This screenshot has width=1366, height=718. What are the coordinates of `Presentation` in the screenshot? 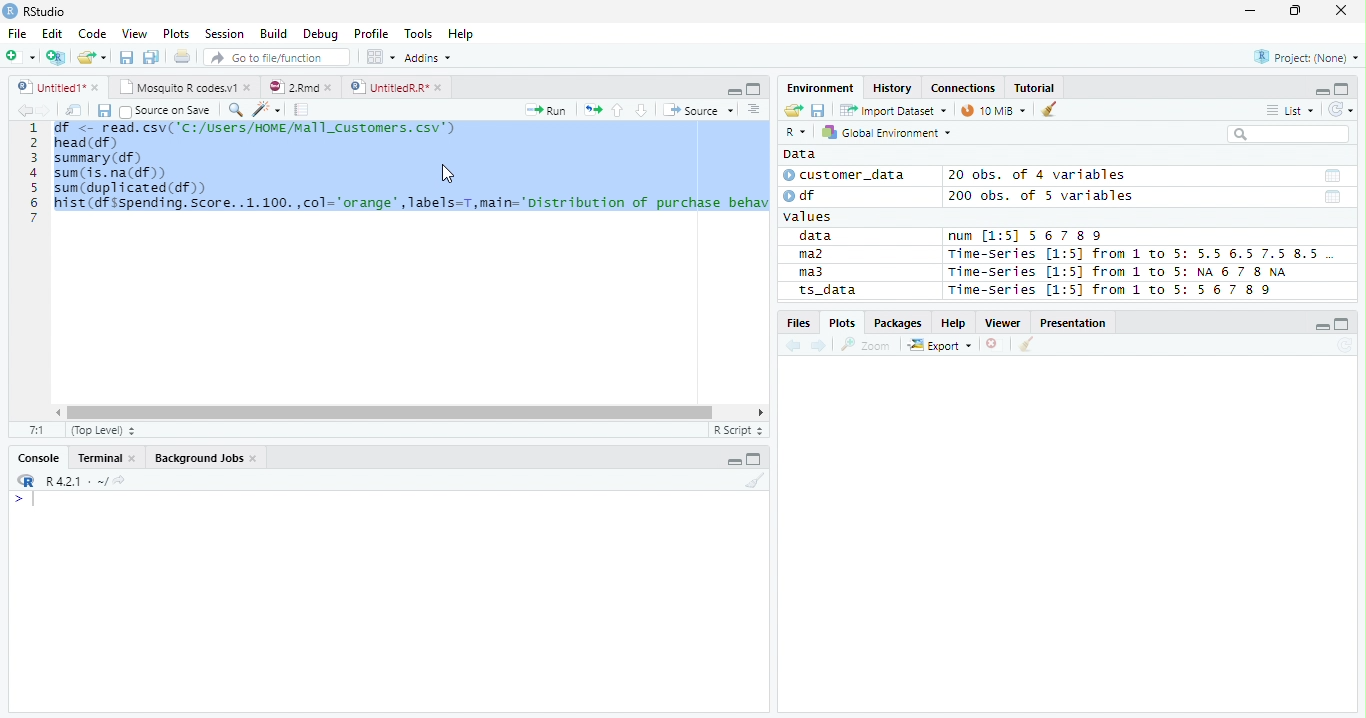 It's located at (1076, 323).